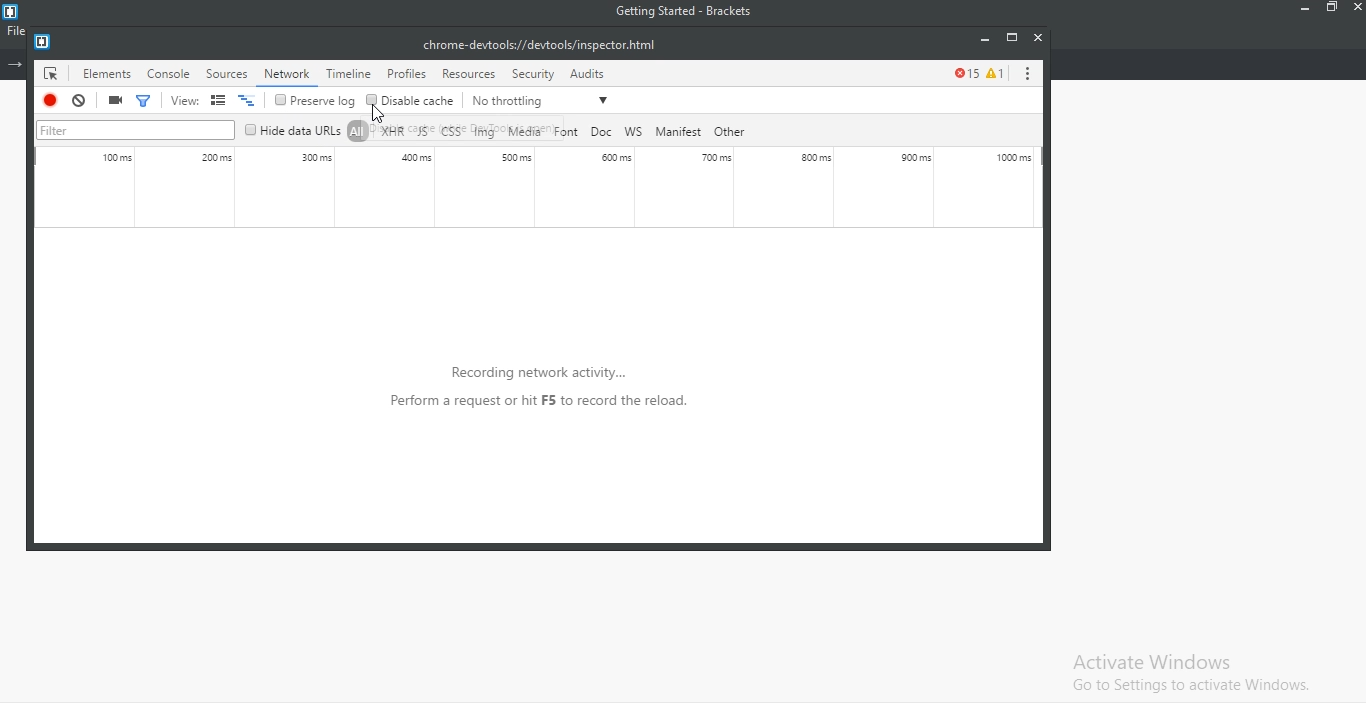 The image size is (1366, 728). What do you see at coordinates (15, 11) in the screenshot?
I see `logo` at bounding box center [15, 11].